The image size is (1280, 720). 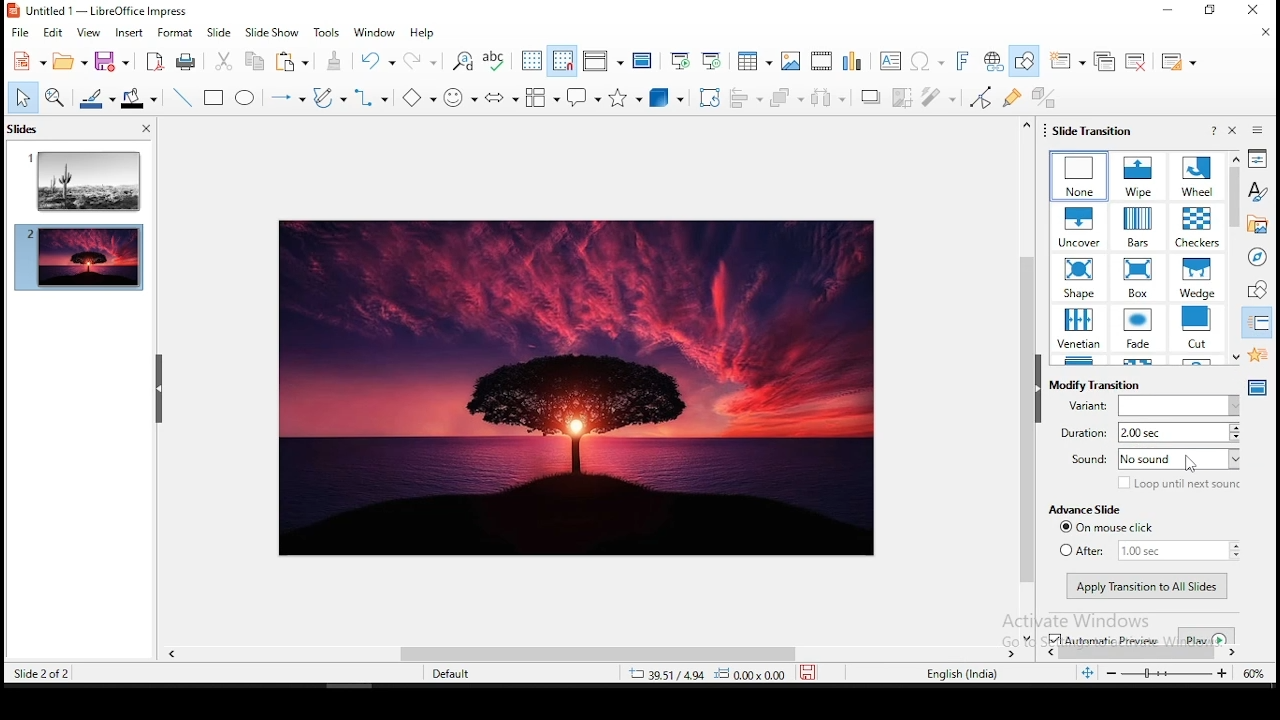 I want to click on transition effects, so click(x=1079, y=226).